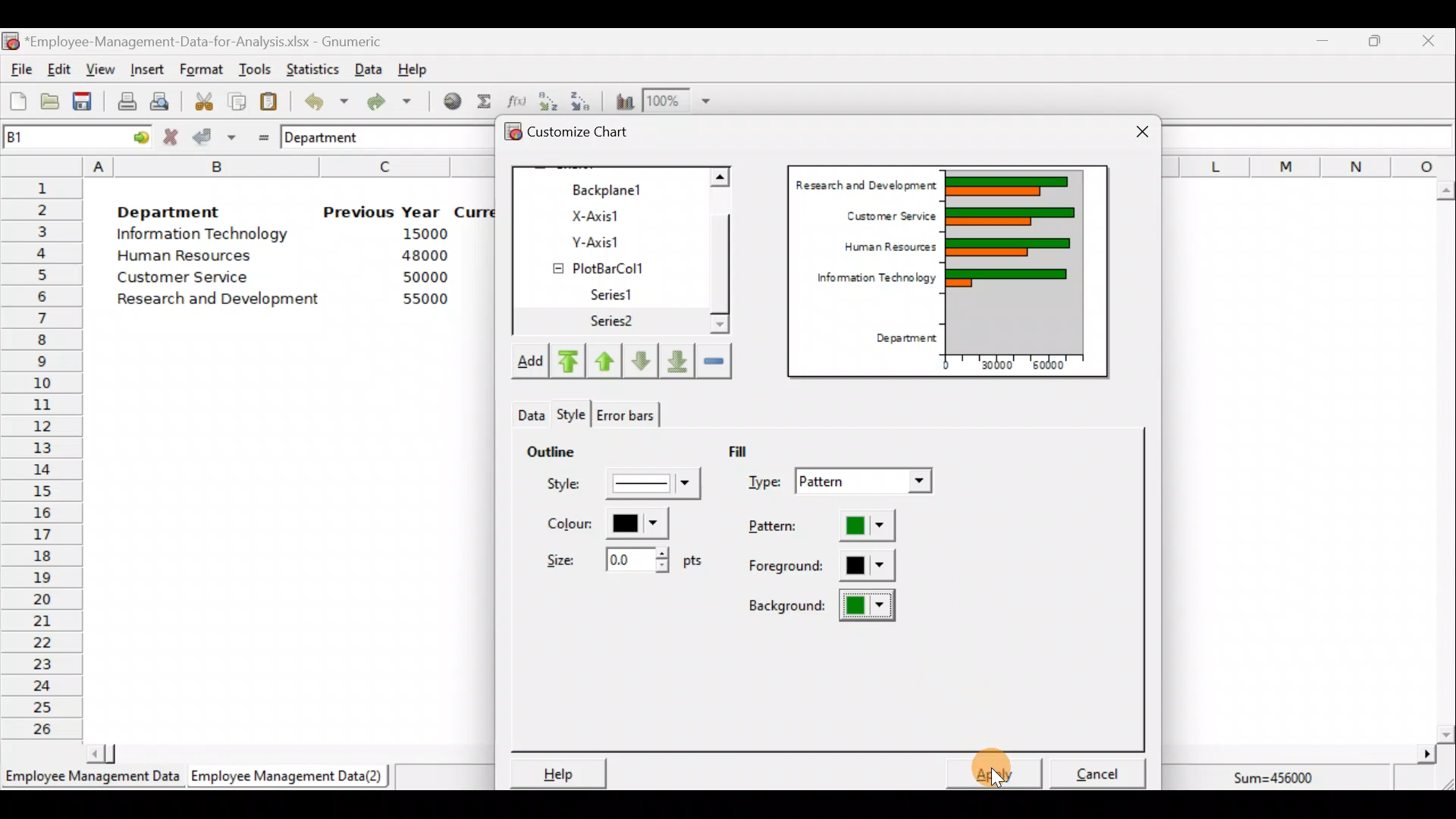 The image size is (1456, 819). What do you see at coordinates (551, 449) in the screenshot?
I see `Outline` at bounding box center [551, 449].